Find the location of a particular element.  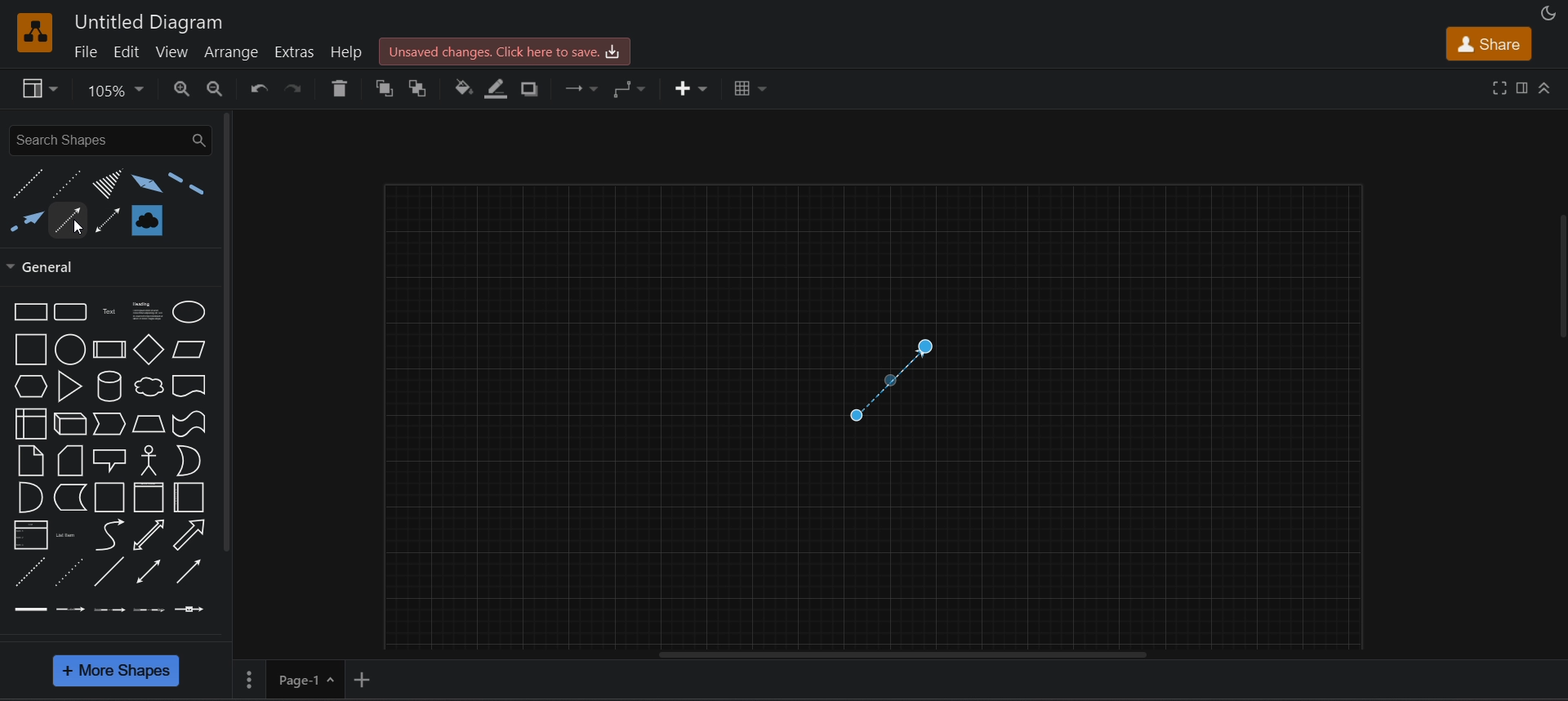

actor is located at coordinates (149, 460).